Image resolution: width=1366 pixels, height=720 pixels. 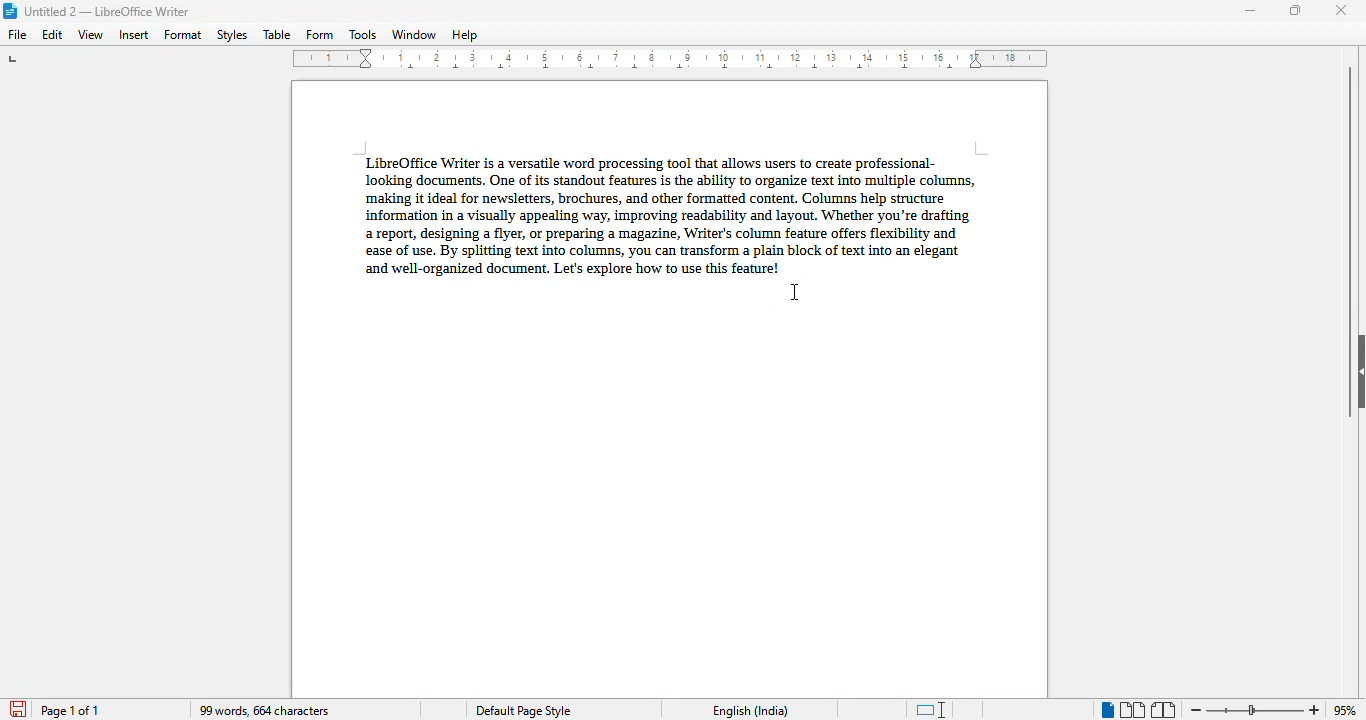 I want to click on multi-page view, so click(x=1133, y=710).